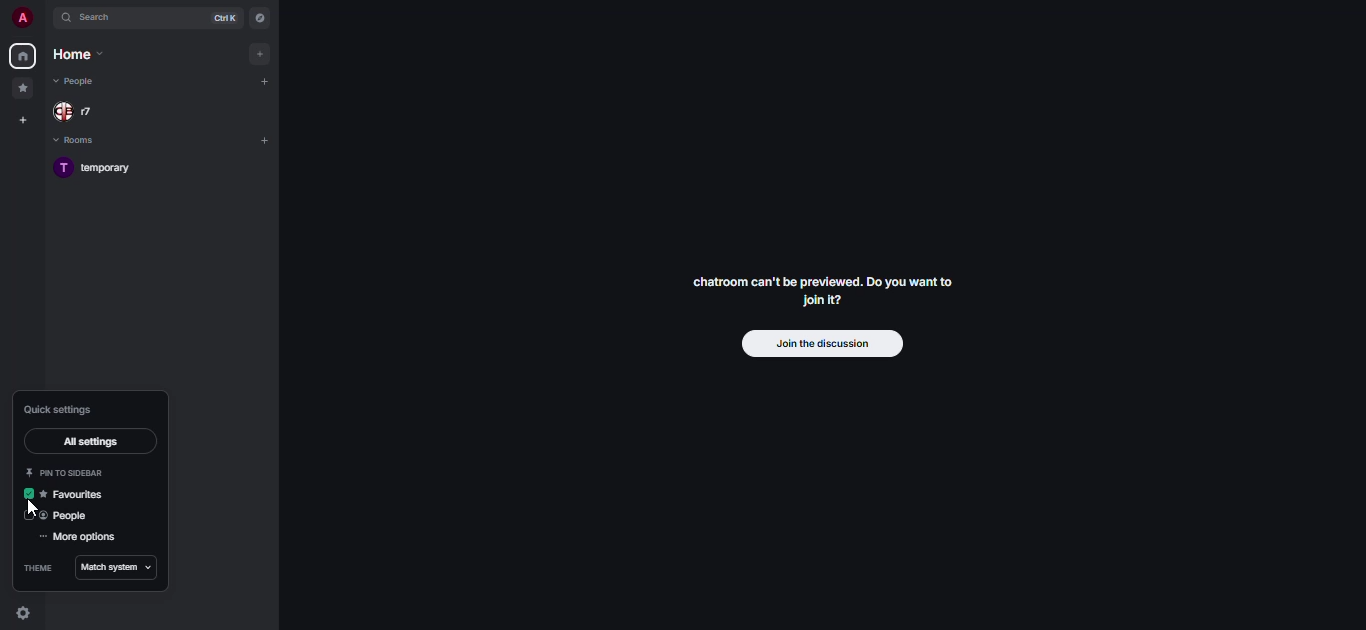  What do you see at coordinates (820, 285) in the screenshot?
I see `chatroom can't be previewed. Join it?` at bounding box center [820, 285].